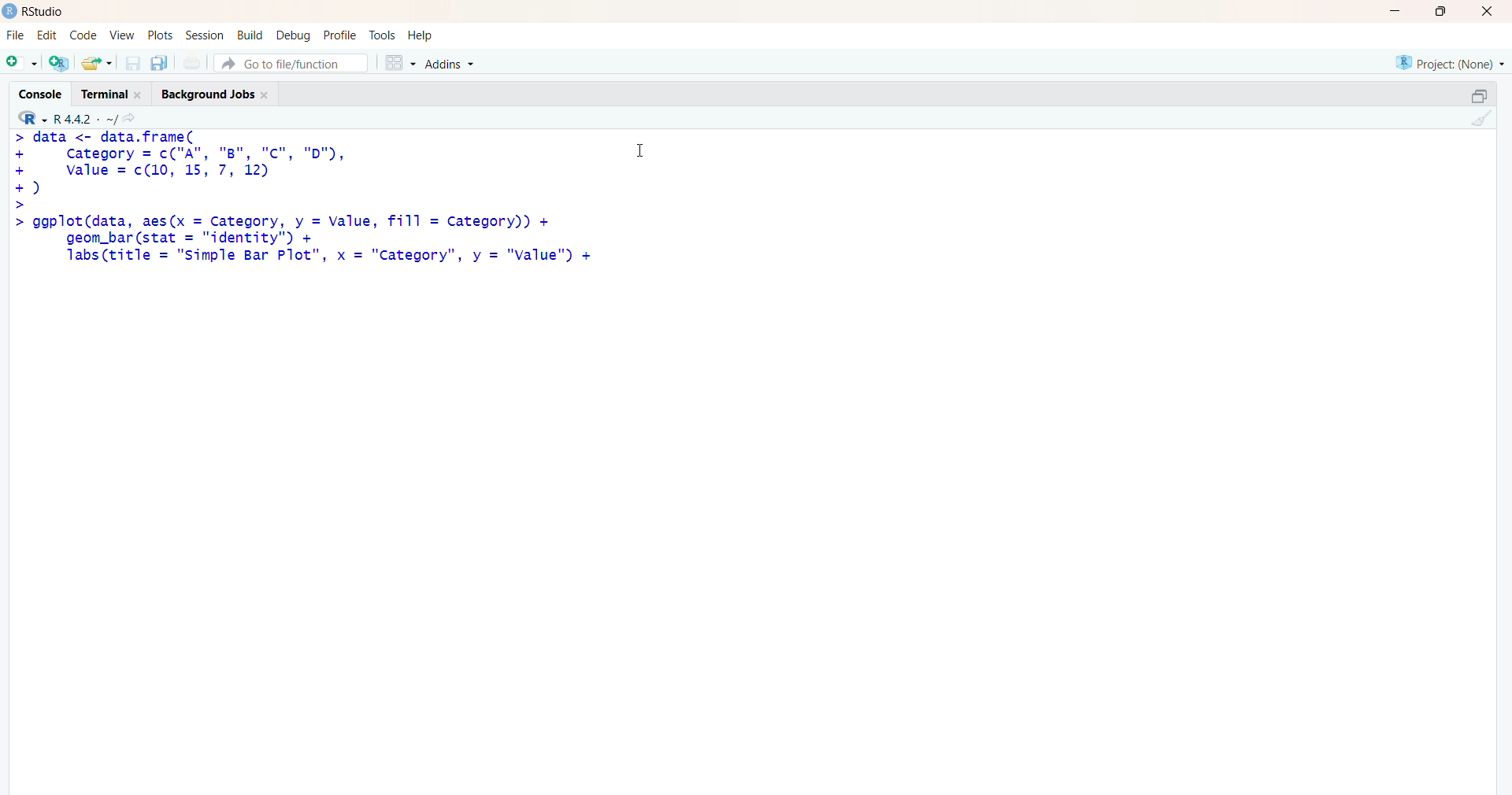 The height and width of the screenshot is (795, 1512). What do you see at coordinates (123, 35) in the screenshot?
I see `View` at bounding box center [123, 35].